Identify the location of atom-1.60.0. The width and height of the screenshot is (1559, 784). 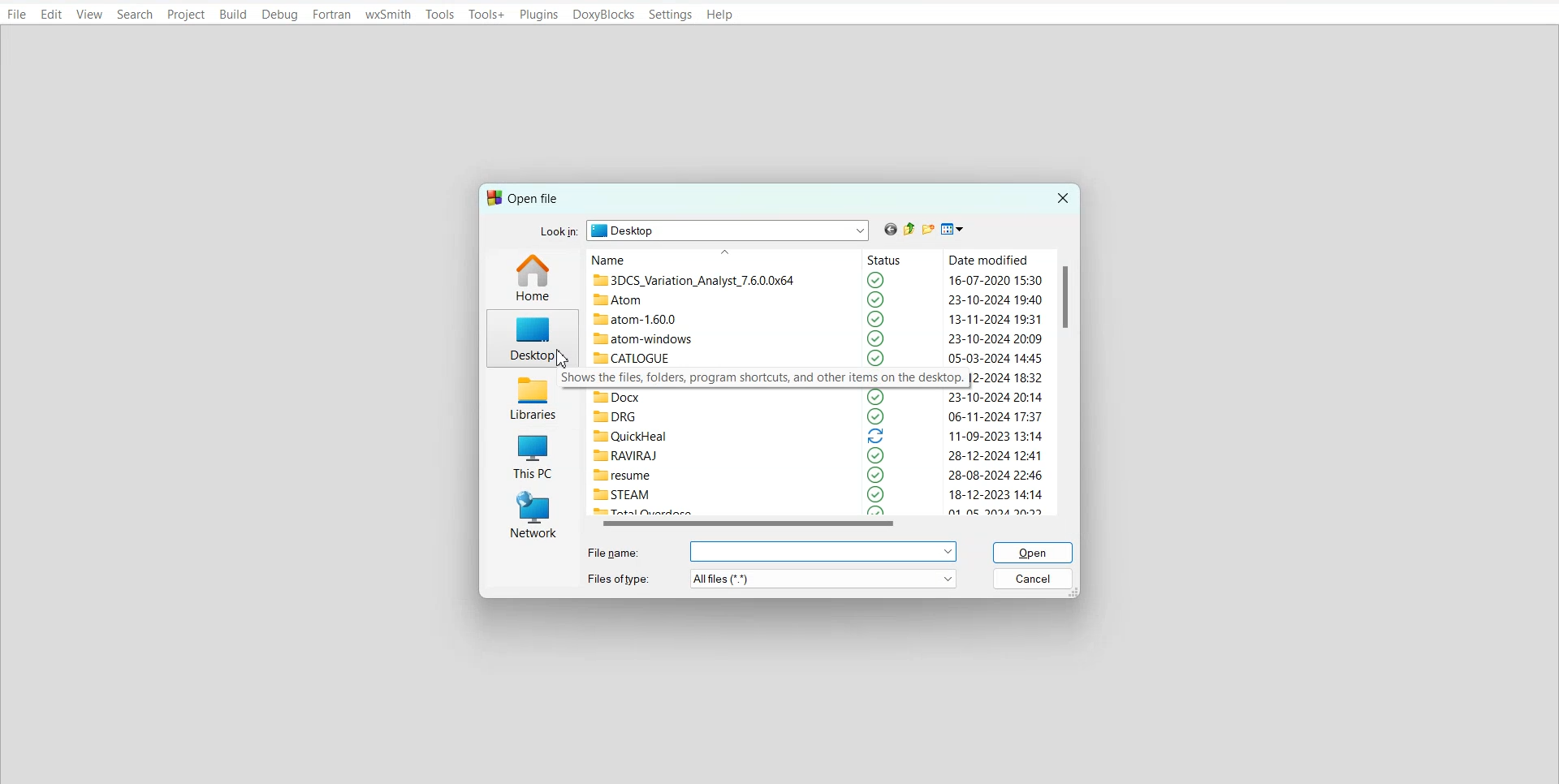
(640, 320).